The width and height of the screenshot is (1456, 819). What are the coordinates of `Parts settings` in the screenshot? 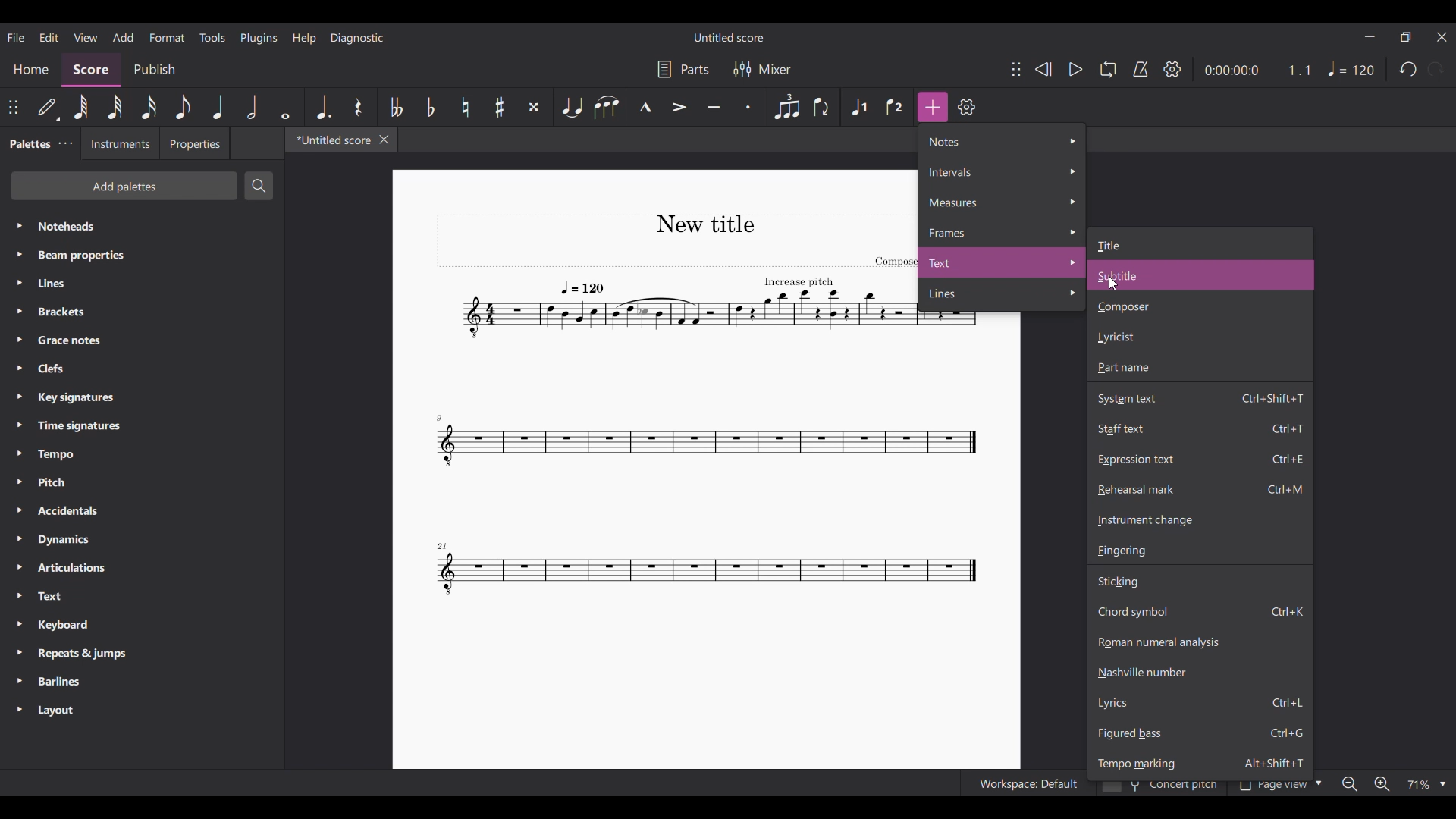 It's located at (684, 69).